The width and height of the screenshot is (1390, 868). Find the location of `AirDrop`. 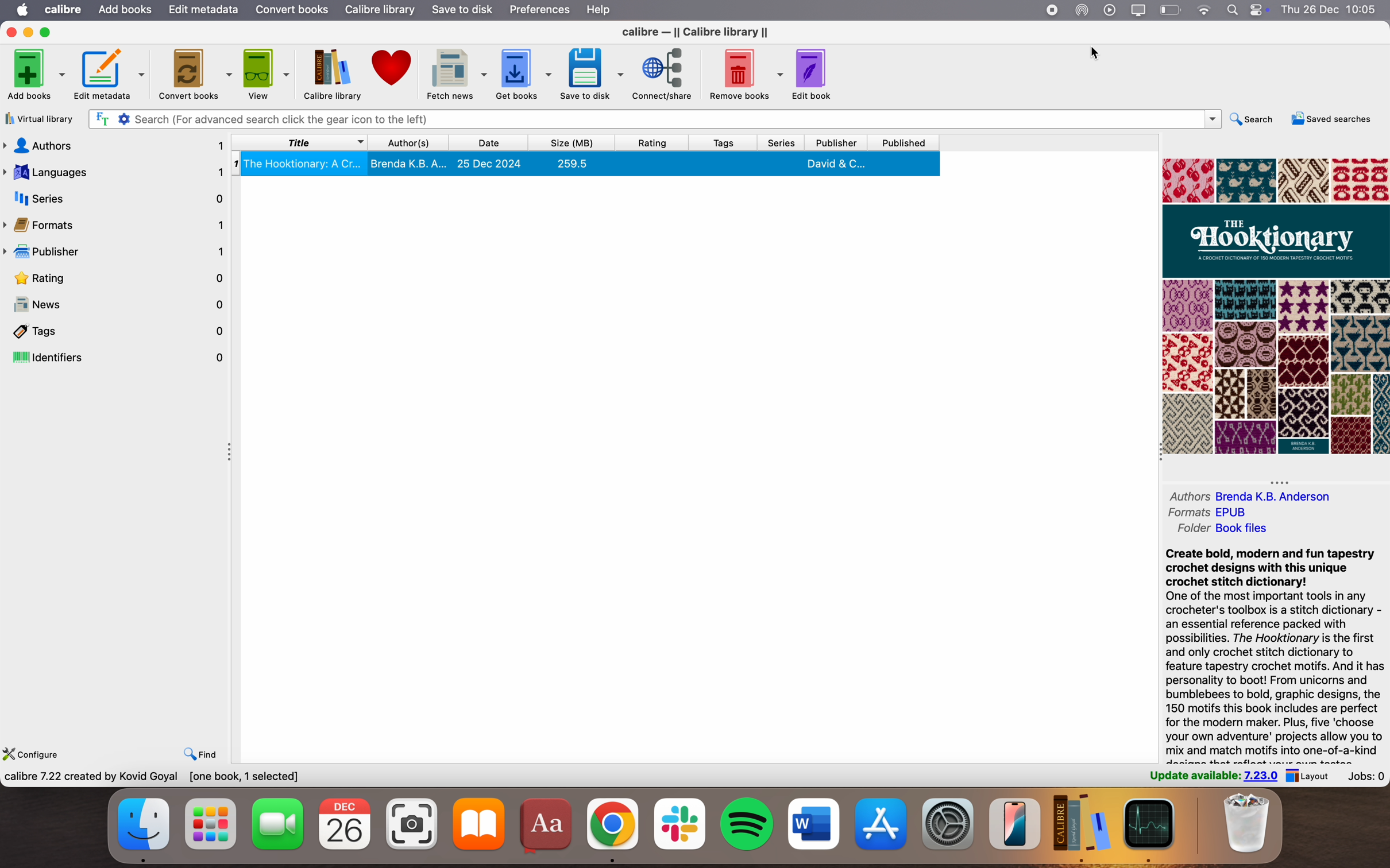

AirDrop is located at coordinates (1083, 10).